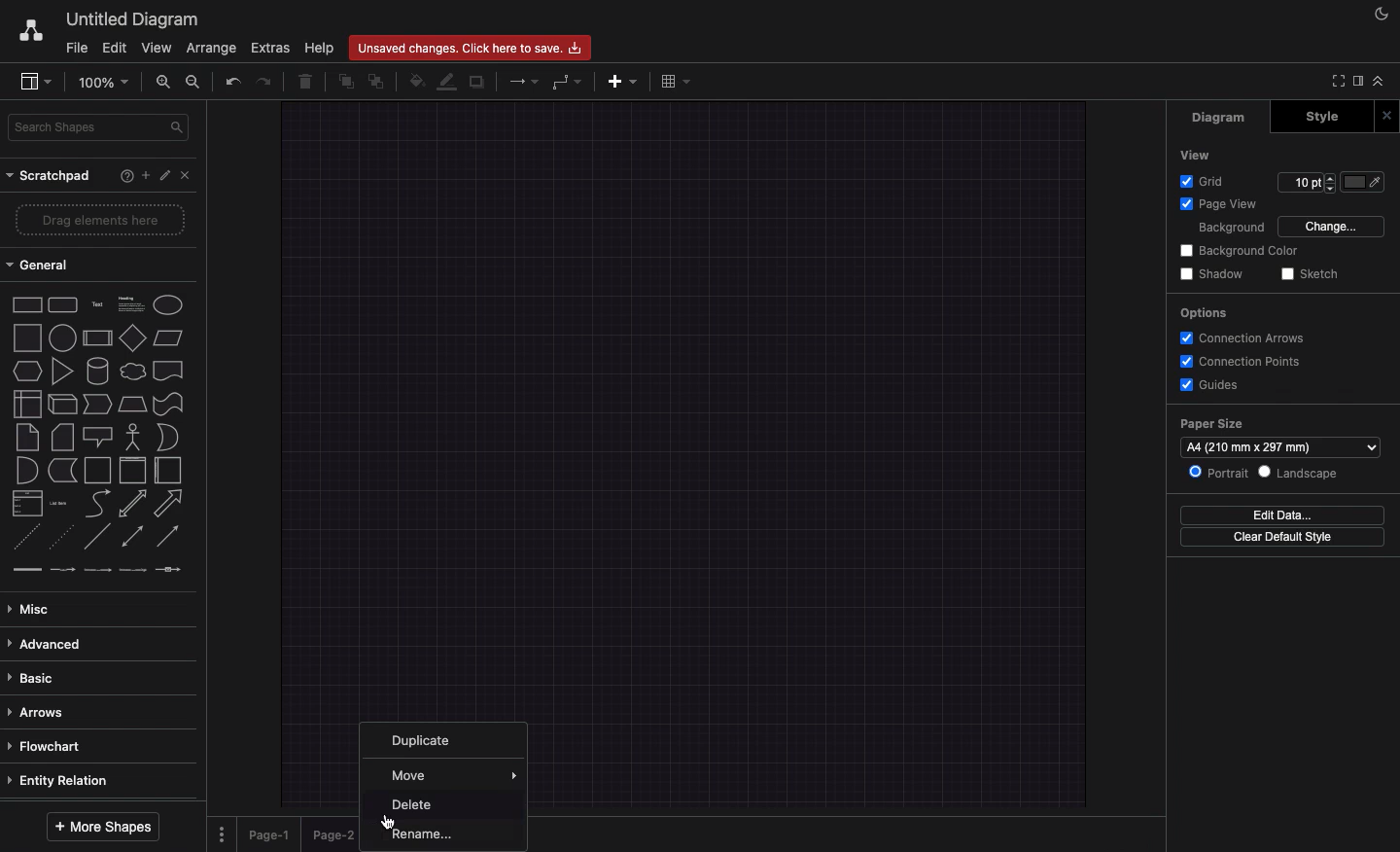 Image resolution: width=1400 pixels, height=852 pixels. I want to click on Clear default style, so click(1286, 538).